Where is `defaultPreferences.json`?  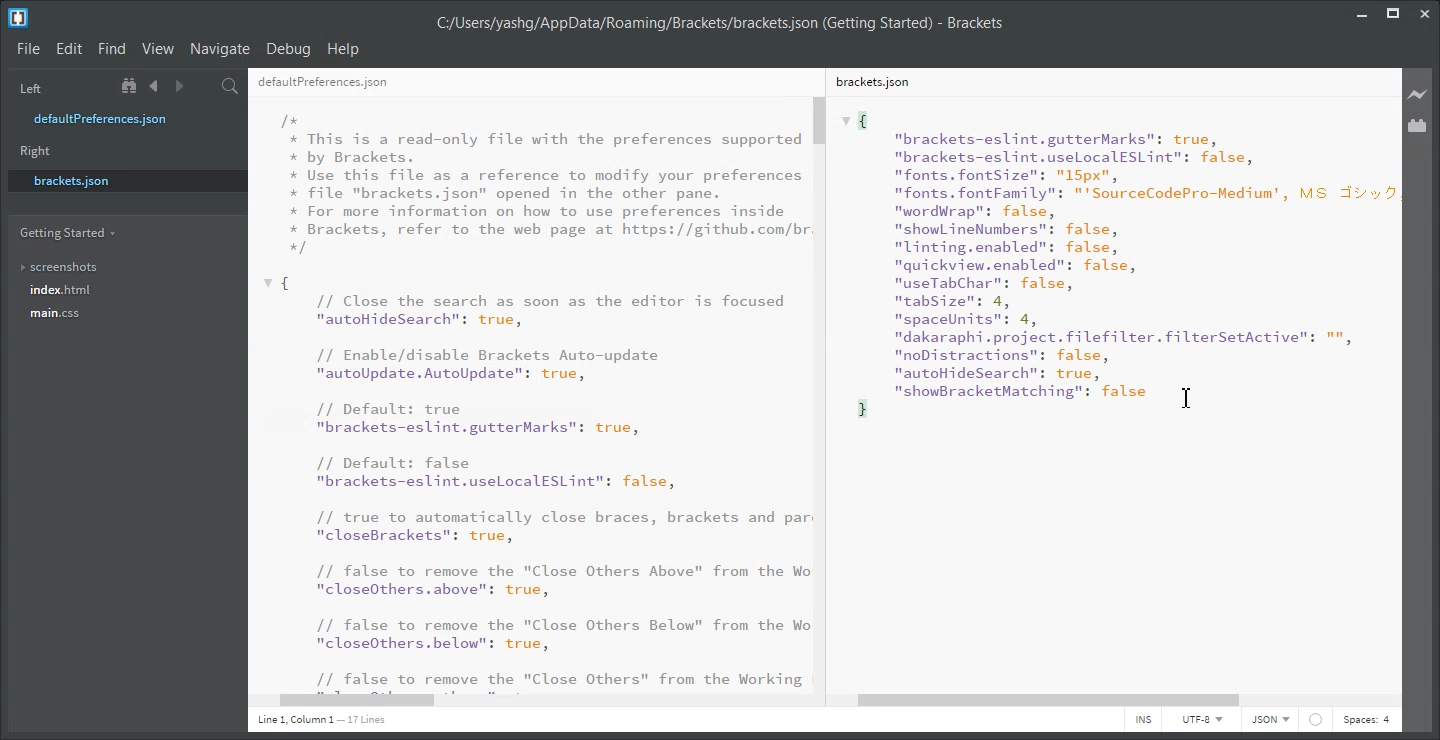
defaultPreferences.json is located at coordinates (323, 83).